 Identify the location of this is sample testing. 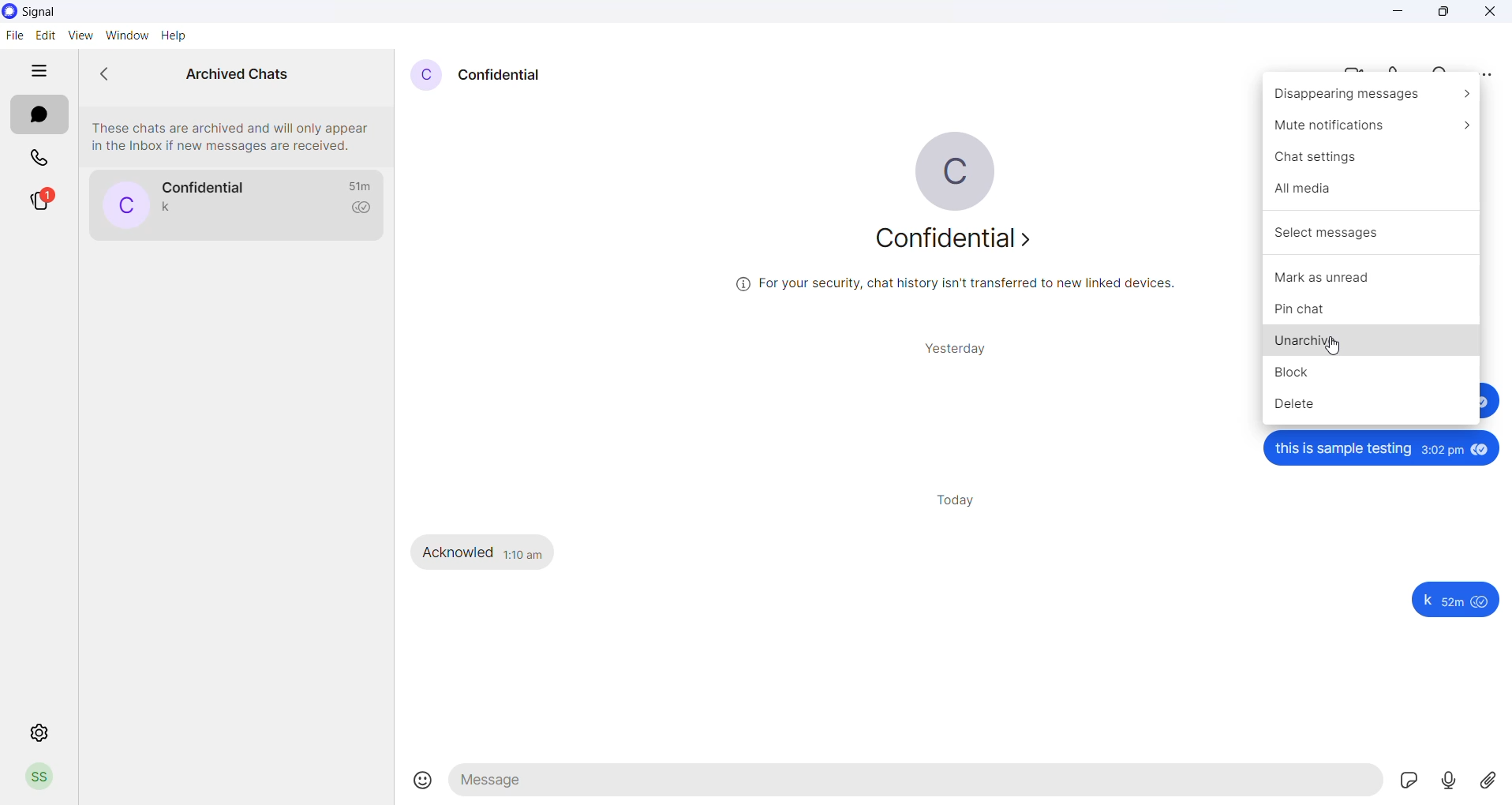
(1342, 450).